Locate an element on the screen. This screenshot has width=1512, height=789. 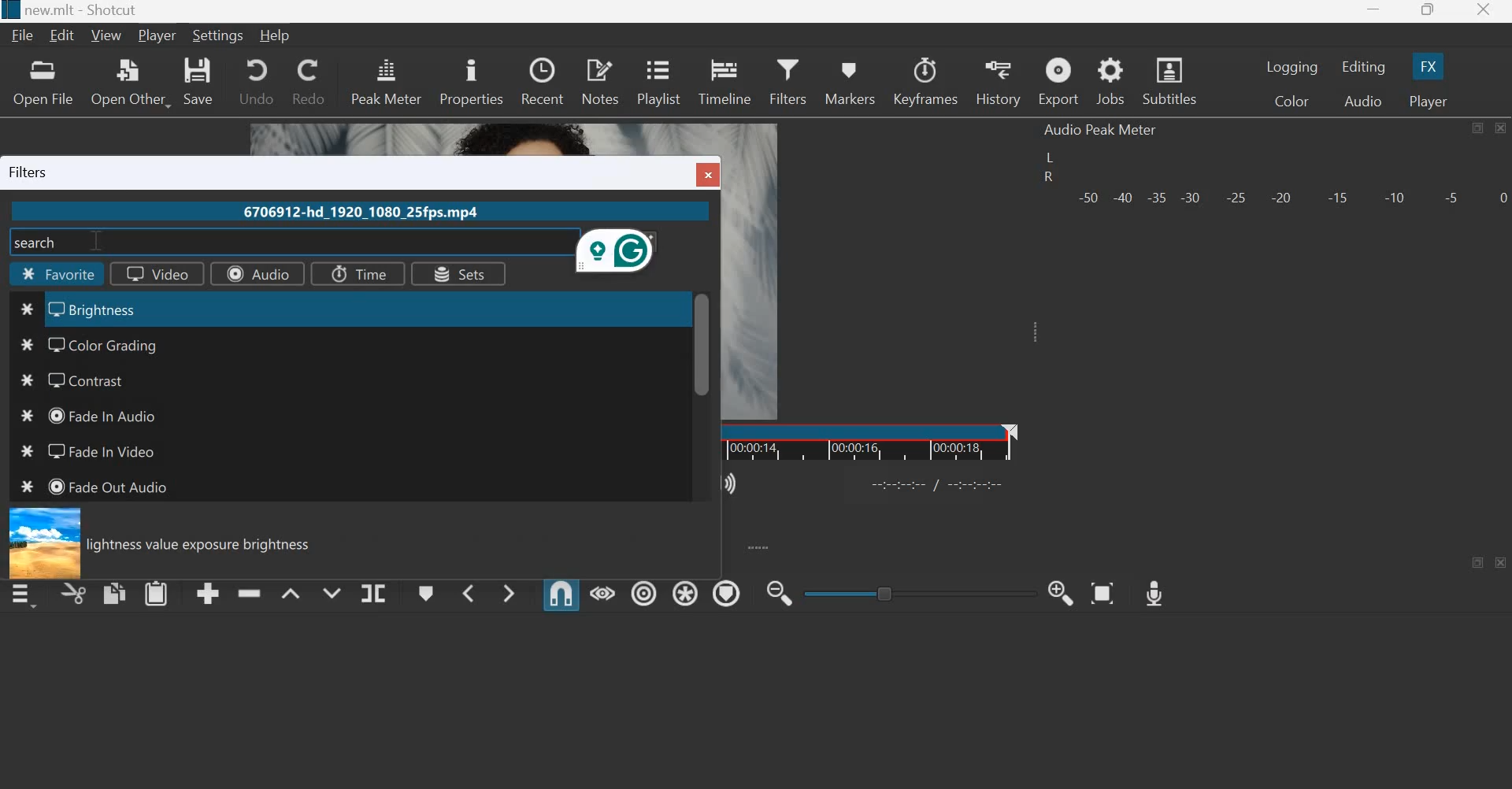
 is located at coordinates (28, 419).